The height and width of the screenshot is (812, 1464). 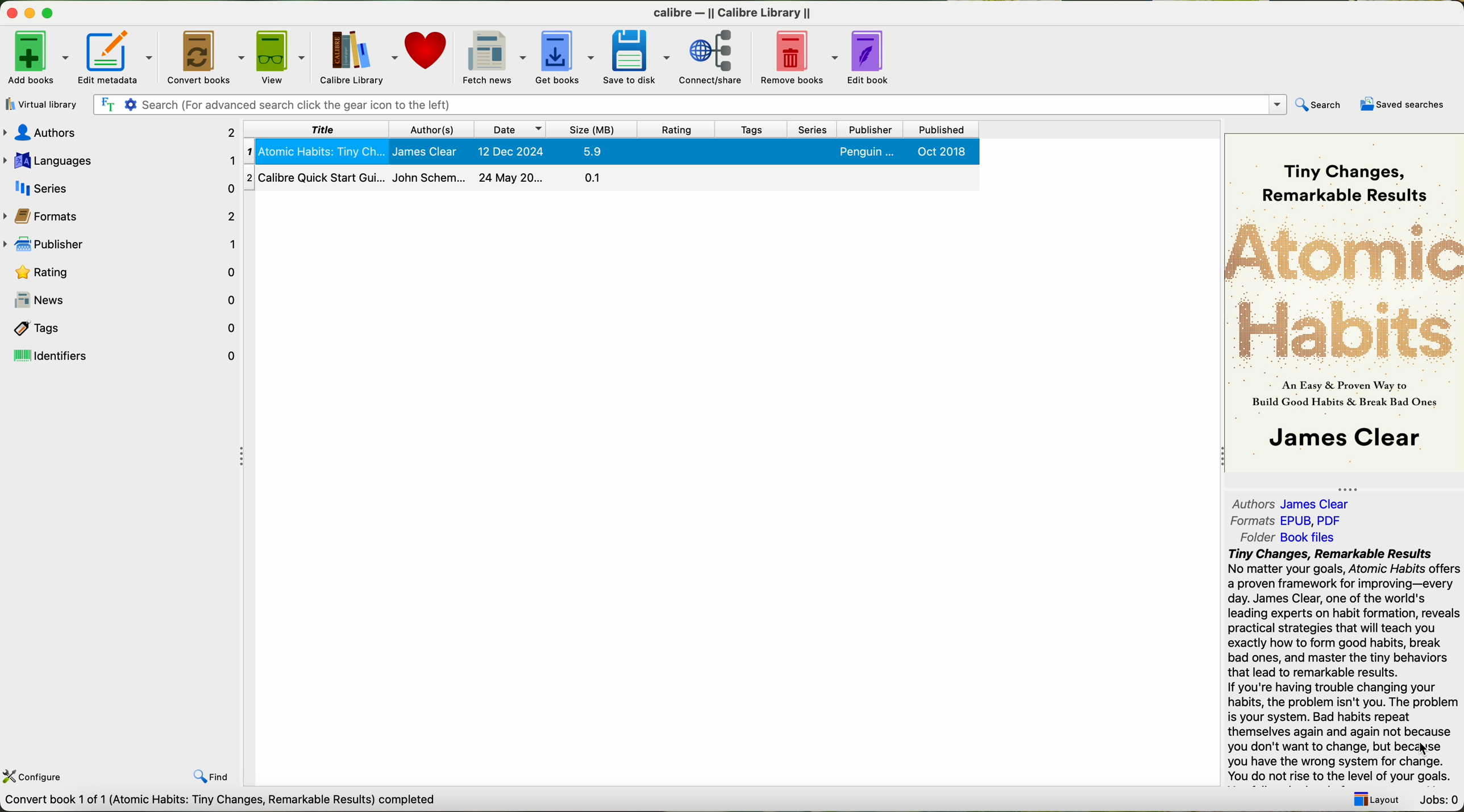 I want to click on saved searches, so click(x=1401, y=104).